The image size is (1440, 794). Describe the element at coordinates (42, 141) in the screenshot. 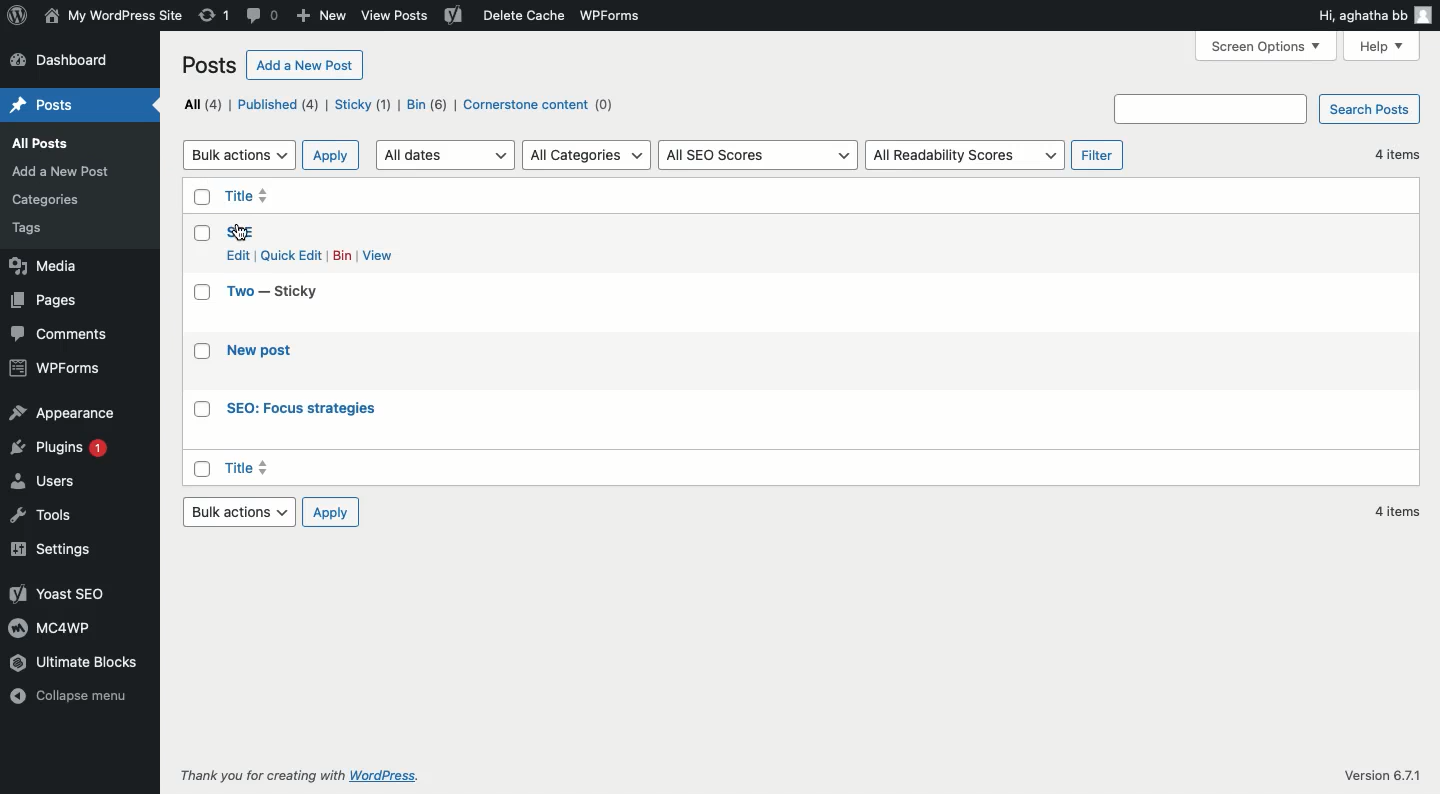

I see `All Posts` at that location.